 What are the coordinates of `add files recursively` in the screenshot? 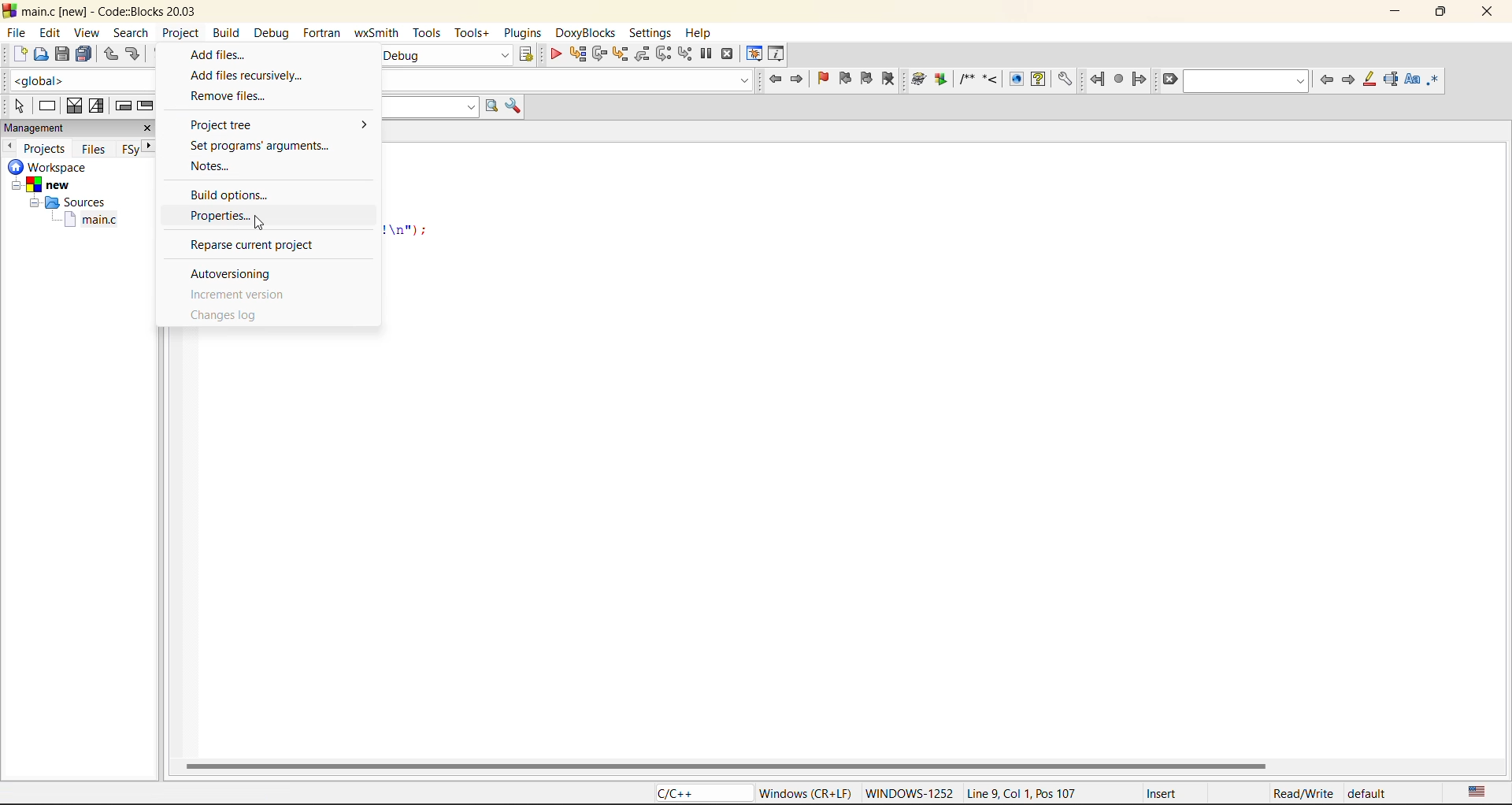 It's located at (248, 73).